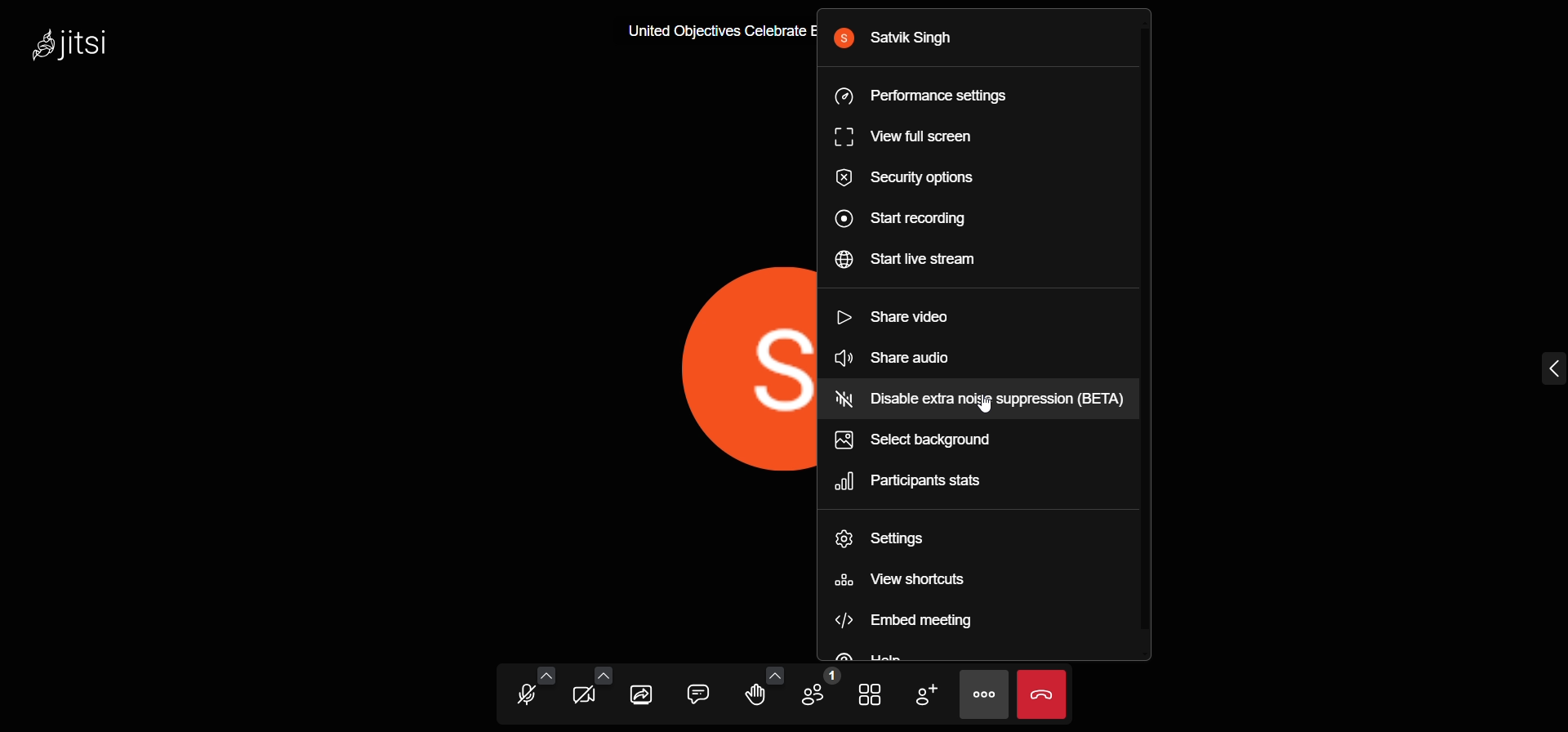 The height and width of the screenshot is (732, 1568). What do you see at coordinates (545, 673) in the screenshot?
I see `more audio options` at bounding box center [545, 673].